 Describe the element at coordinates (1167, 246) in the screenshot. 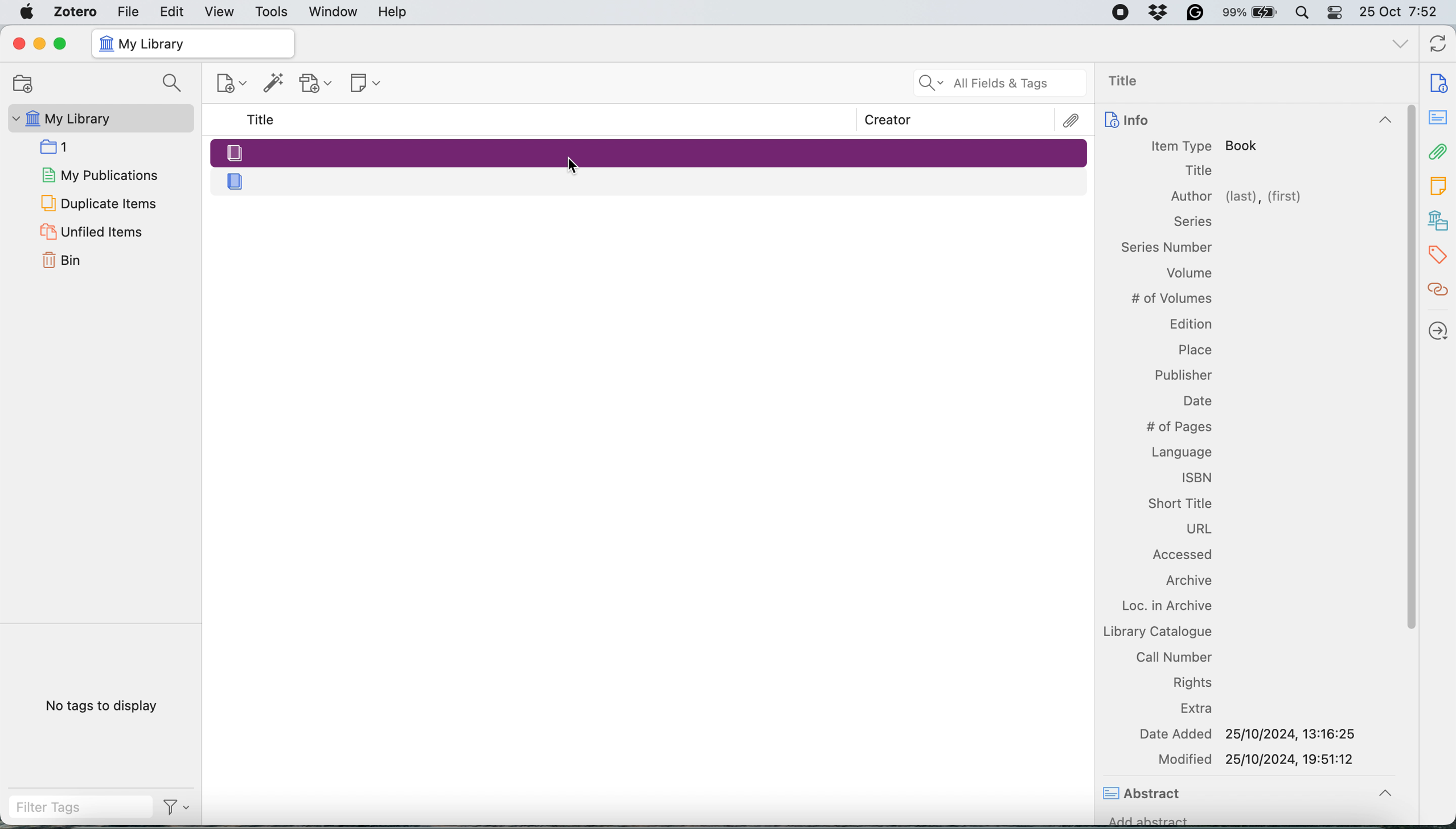

I see `` at that location.